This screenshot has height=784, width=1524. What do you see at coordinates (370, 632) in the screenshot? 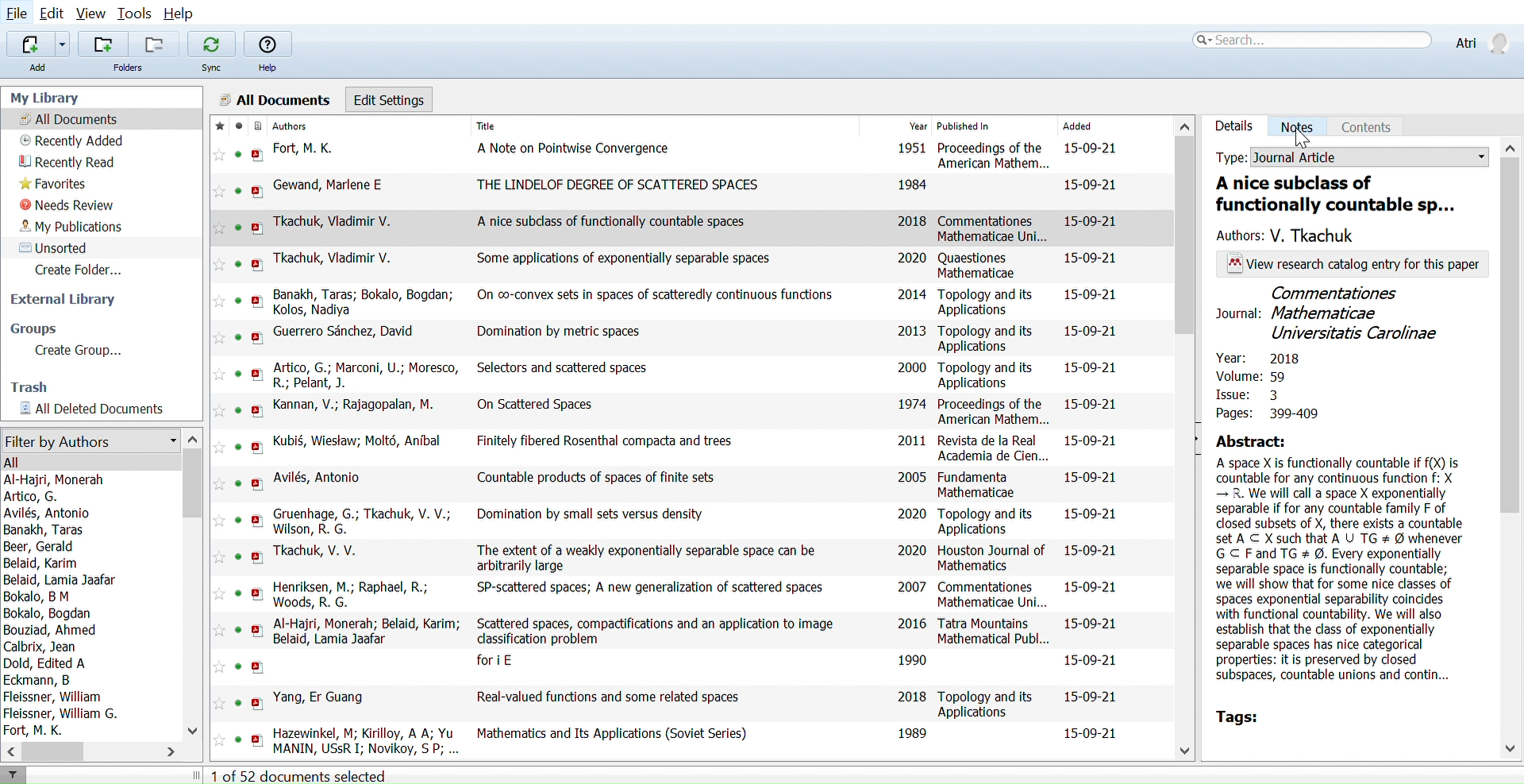
I see `Al-Hajri, Monerah; Belaid, Karim; Belaid, Lamia Jaafar` at bounding box center [370, 632].